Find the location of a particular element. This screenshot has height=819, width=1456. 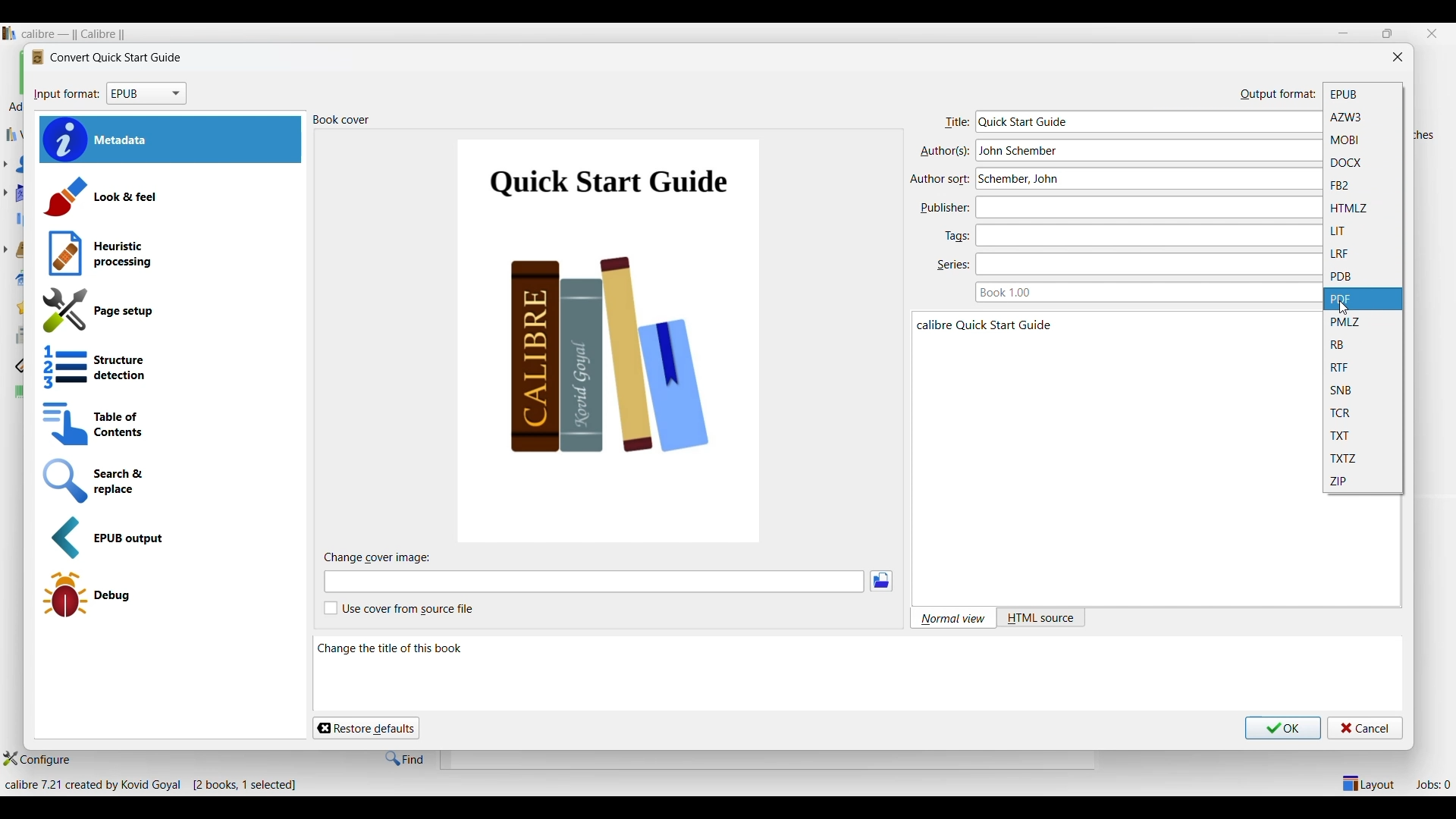

Browse images is located at coordinates (882, 582).